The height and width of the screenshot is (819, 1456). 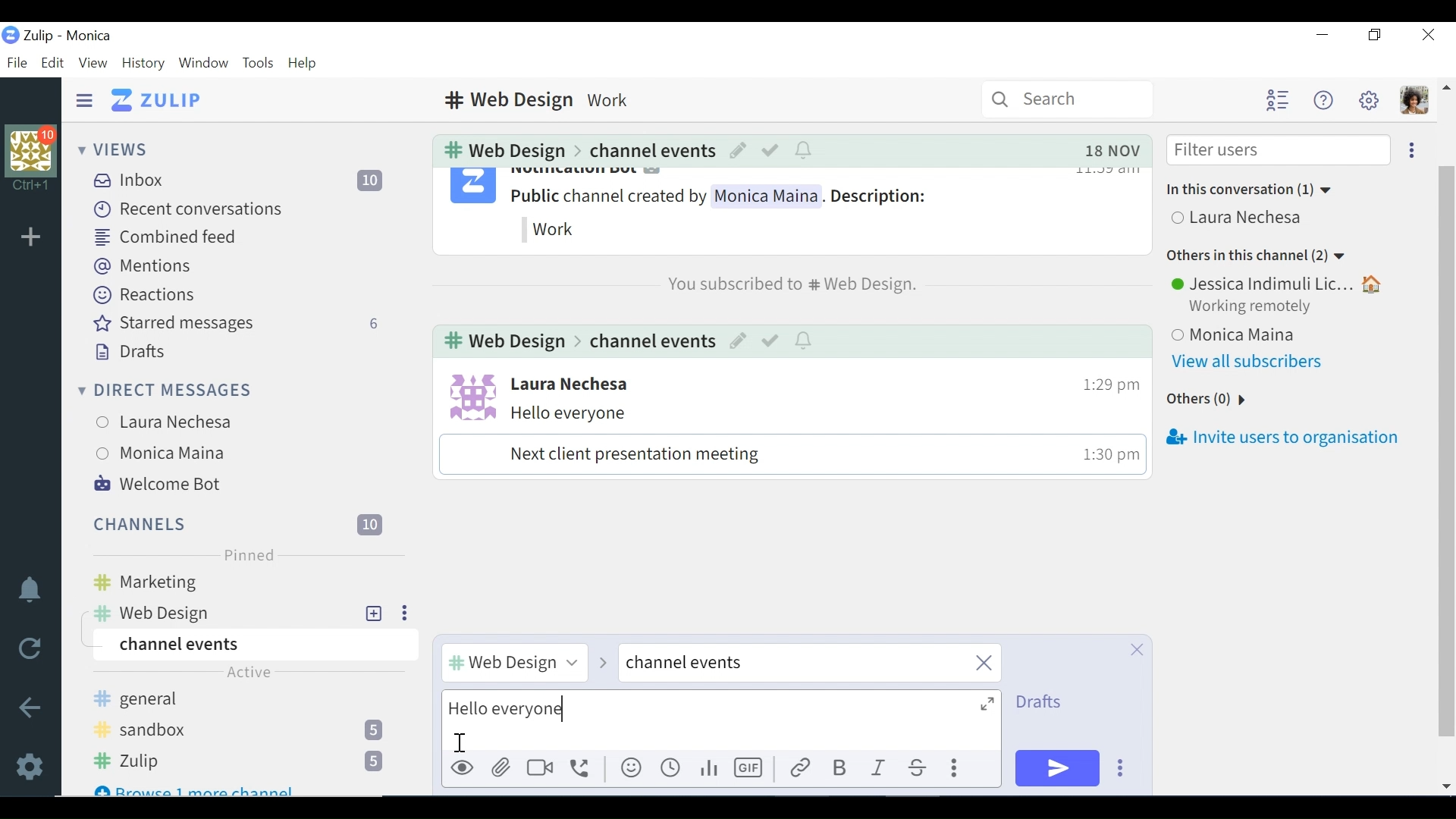 What do you see at coordinates (1252, 190) in the screenshot?
I see `In this conversation` at bounding box center [1252, 190].